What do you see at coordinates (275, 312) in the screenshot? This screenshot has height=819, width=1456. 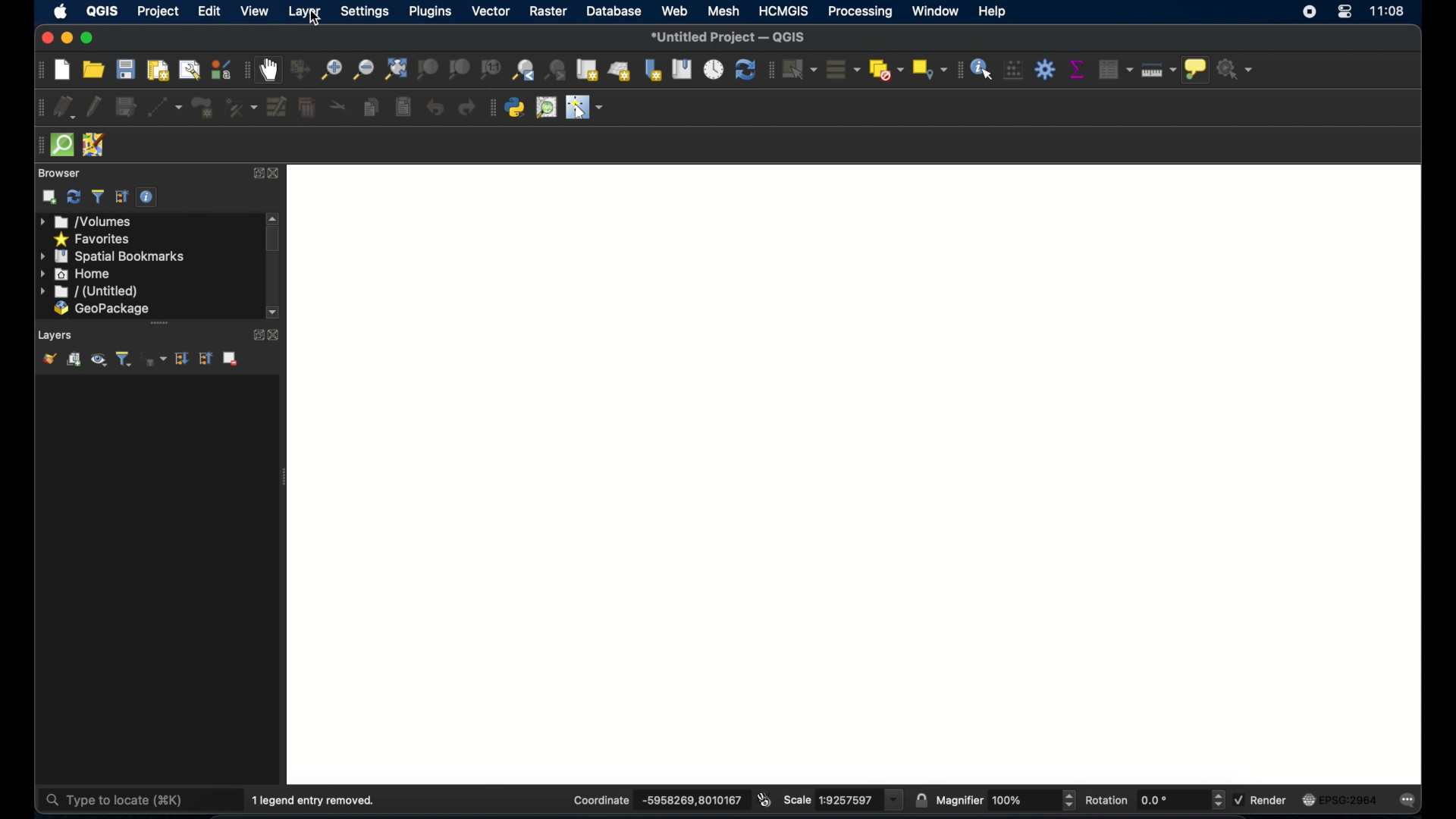 I see `scroll down arrow` at bounding box center [275, 312].